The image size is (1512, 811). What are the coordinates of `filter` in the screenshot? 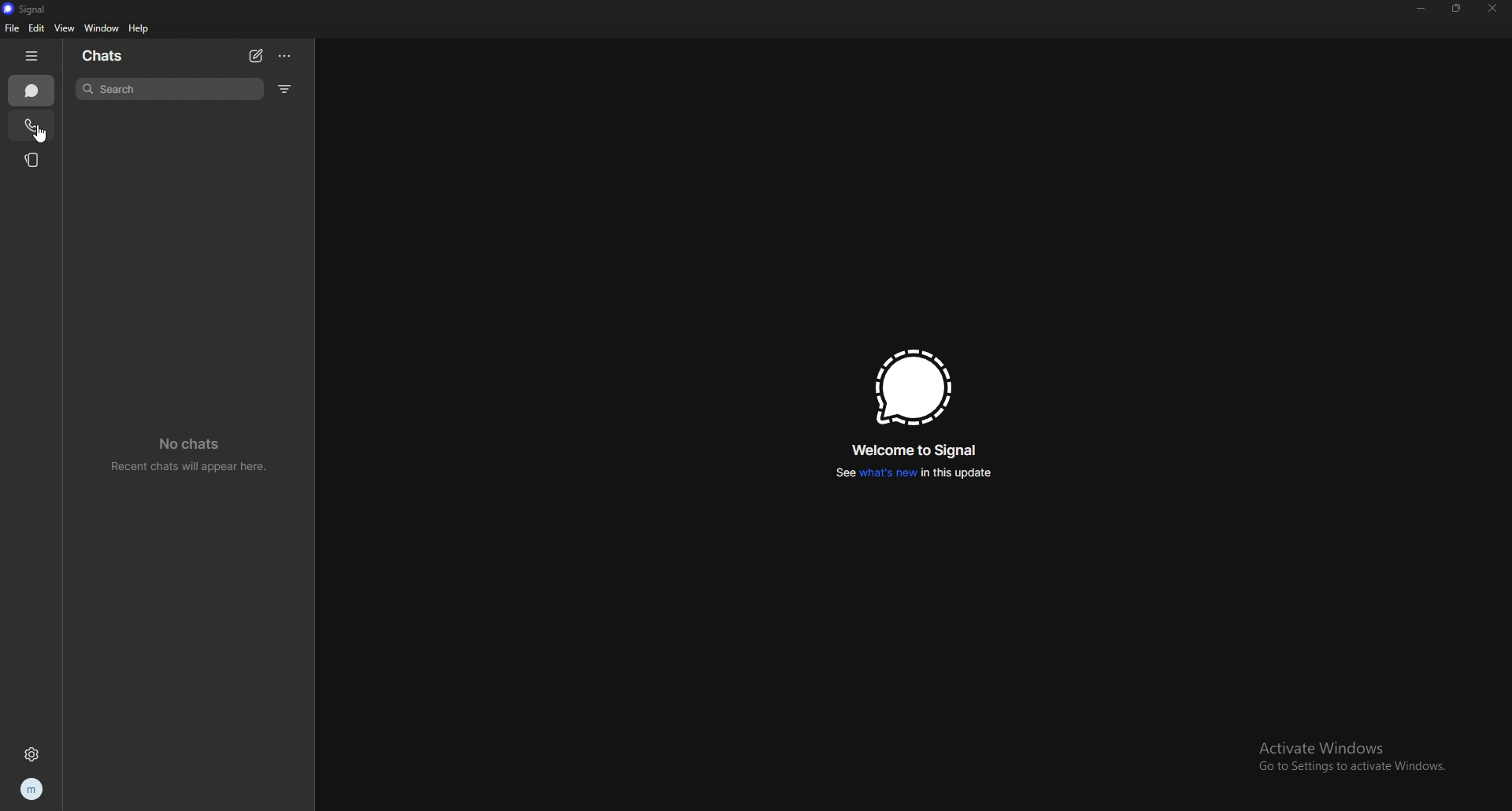 It's located at (286, 89).